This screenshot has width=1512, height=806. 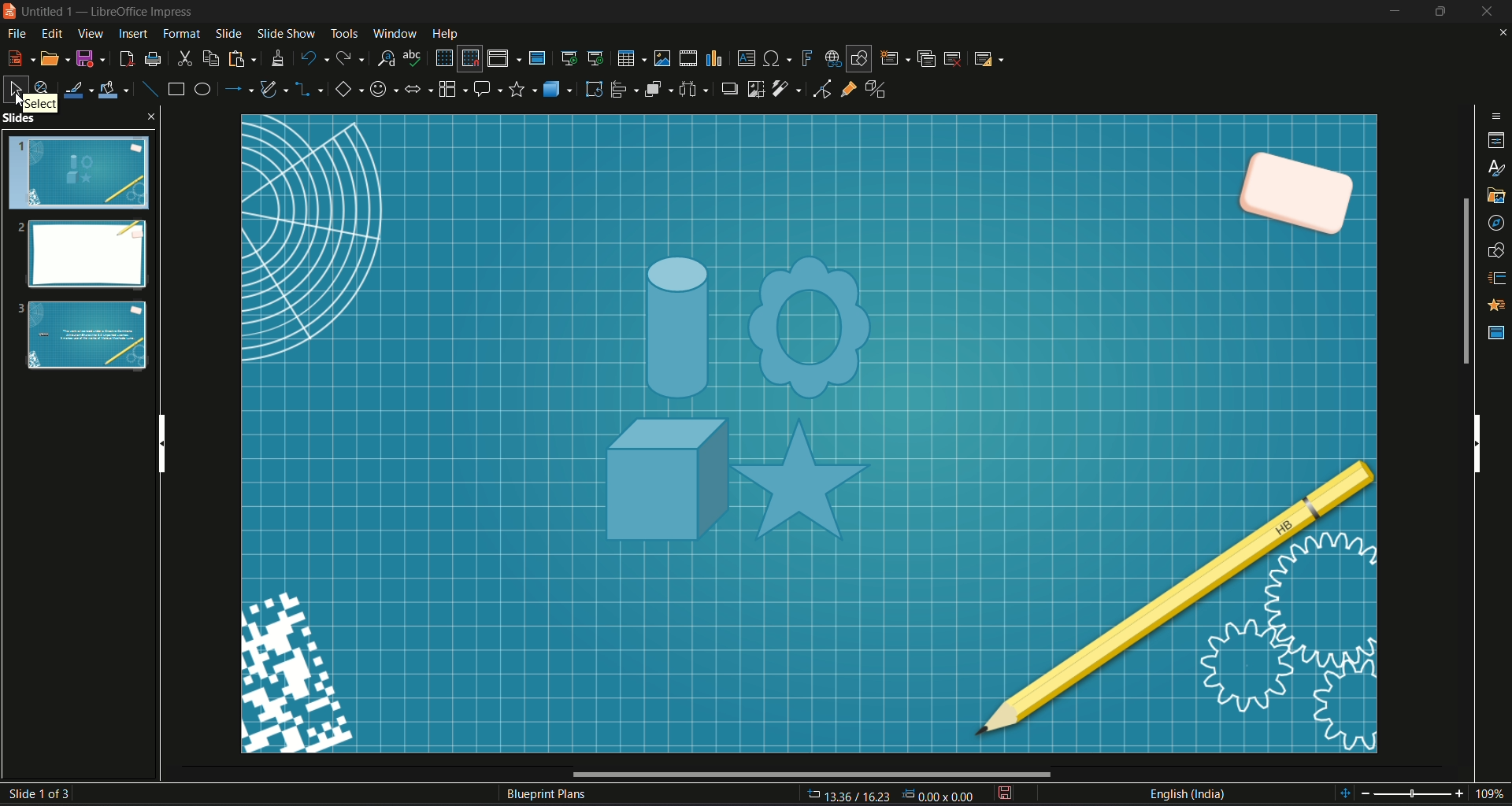 What do you see at coordinates (953, 58) in the screenshot?
I see `delete slide` at bounding box center [953, 58].